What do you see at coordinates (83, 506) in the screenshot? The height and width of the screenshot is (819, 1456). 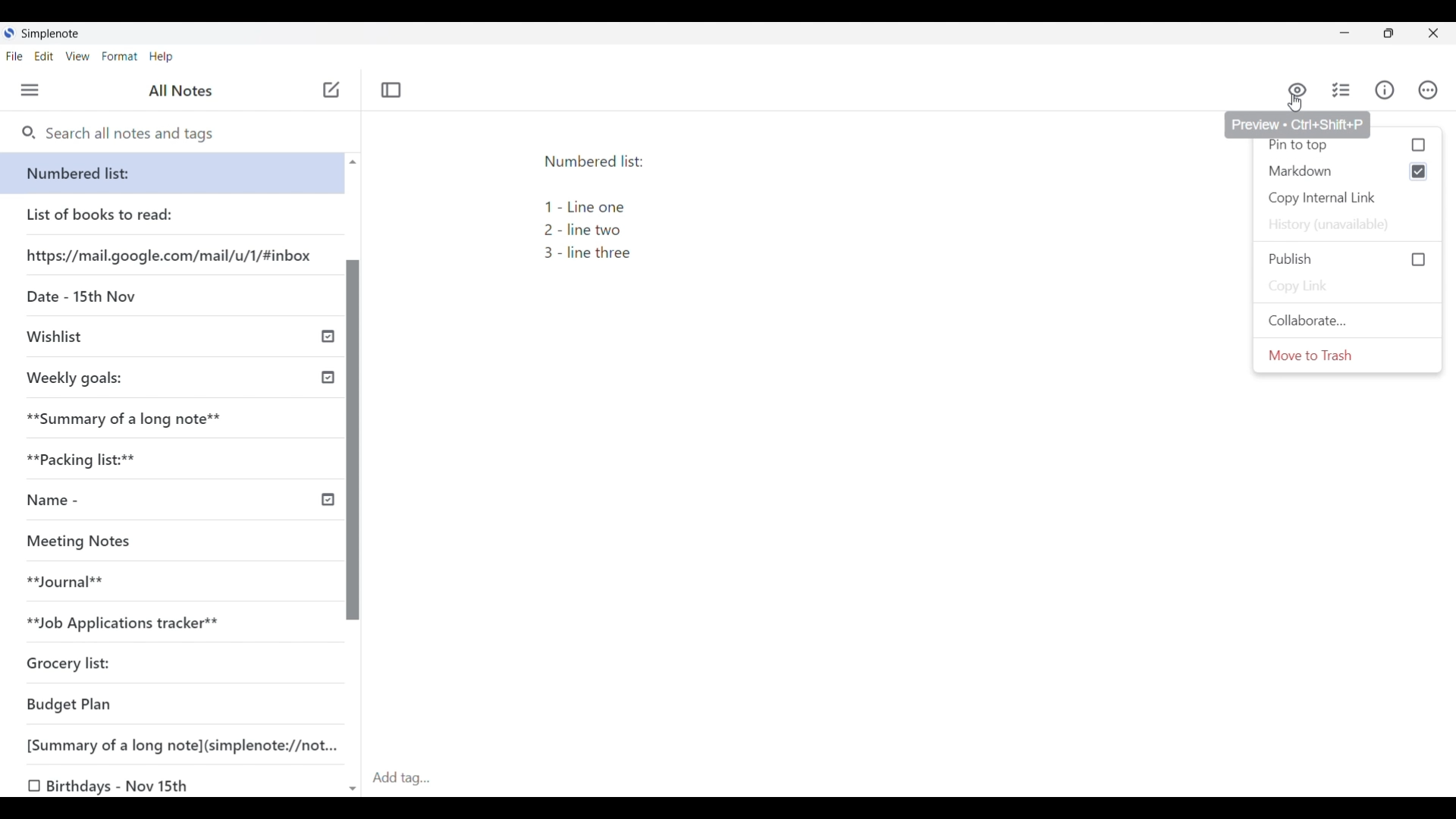 I see `Name ` at bounding box center [83, 506].